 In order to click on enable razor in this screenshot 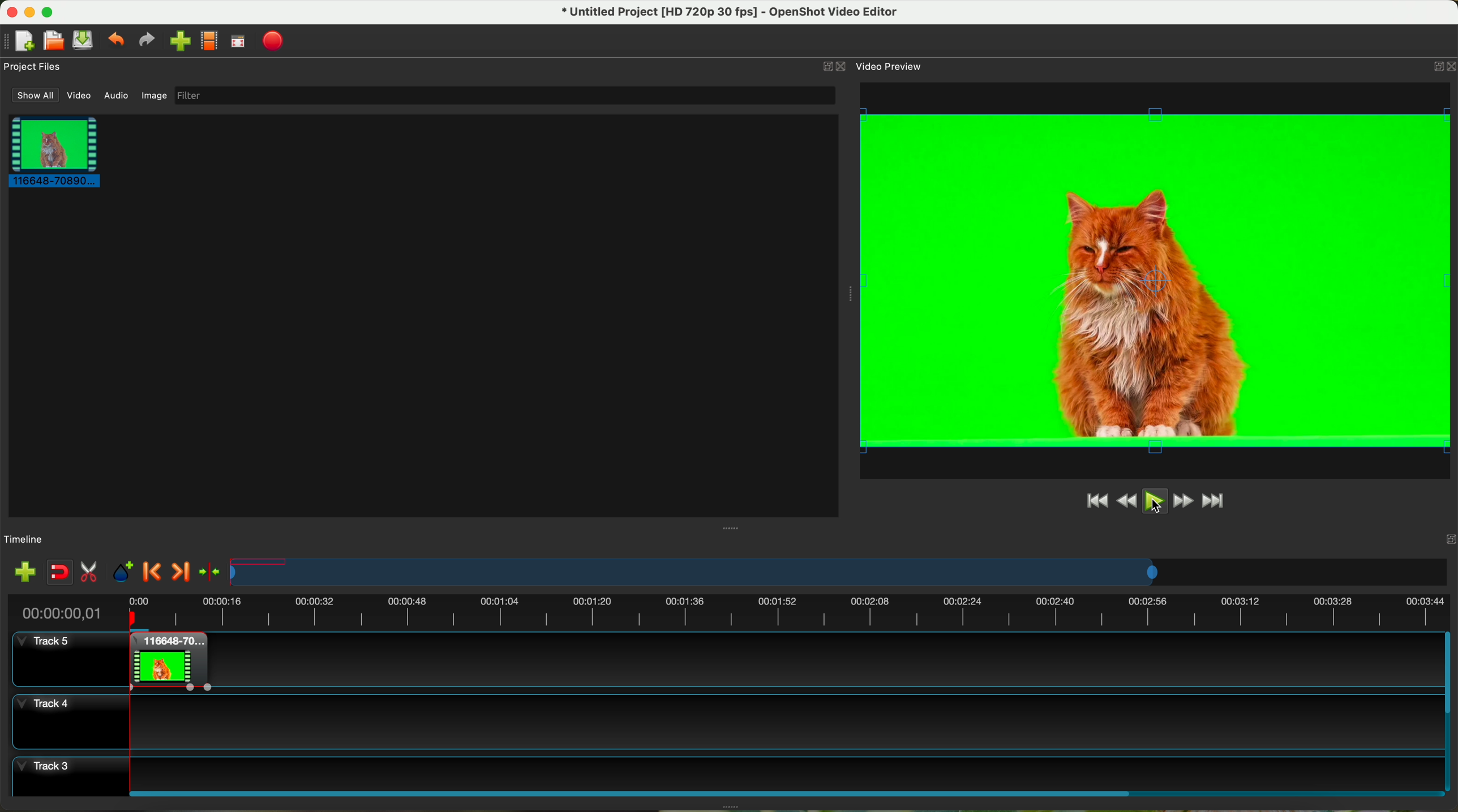, I will do `click(89, 573)`.